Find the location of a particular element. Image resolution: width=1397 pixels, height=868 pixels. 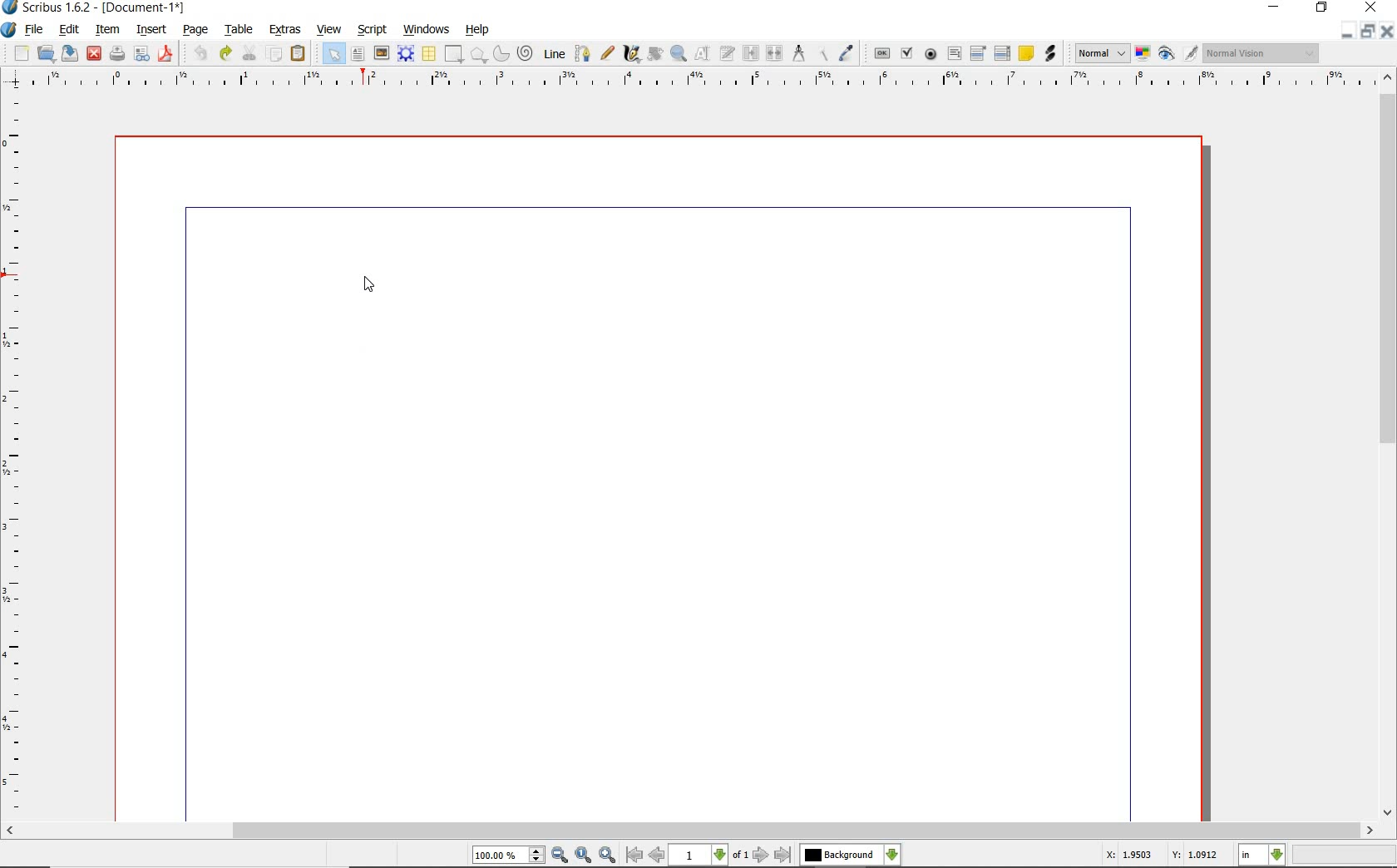

calligraphic line is located at coordinates (632, 54).